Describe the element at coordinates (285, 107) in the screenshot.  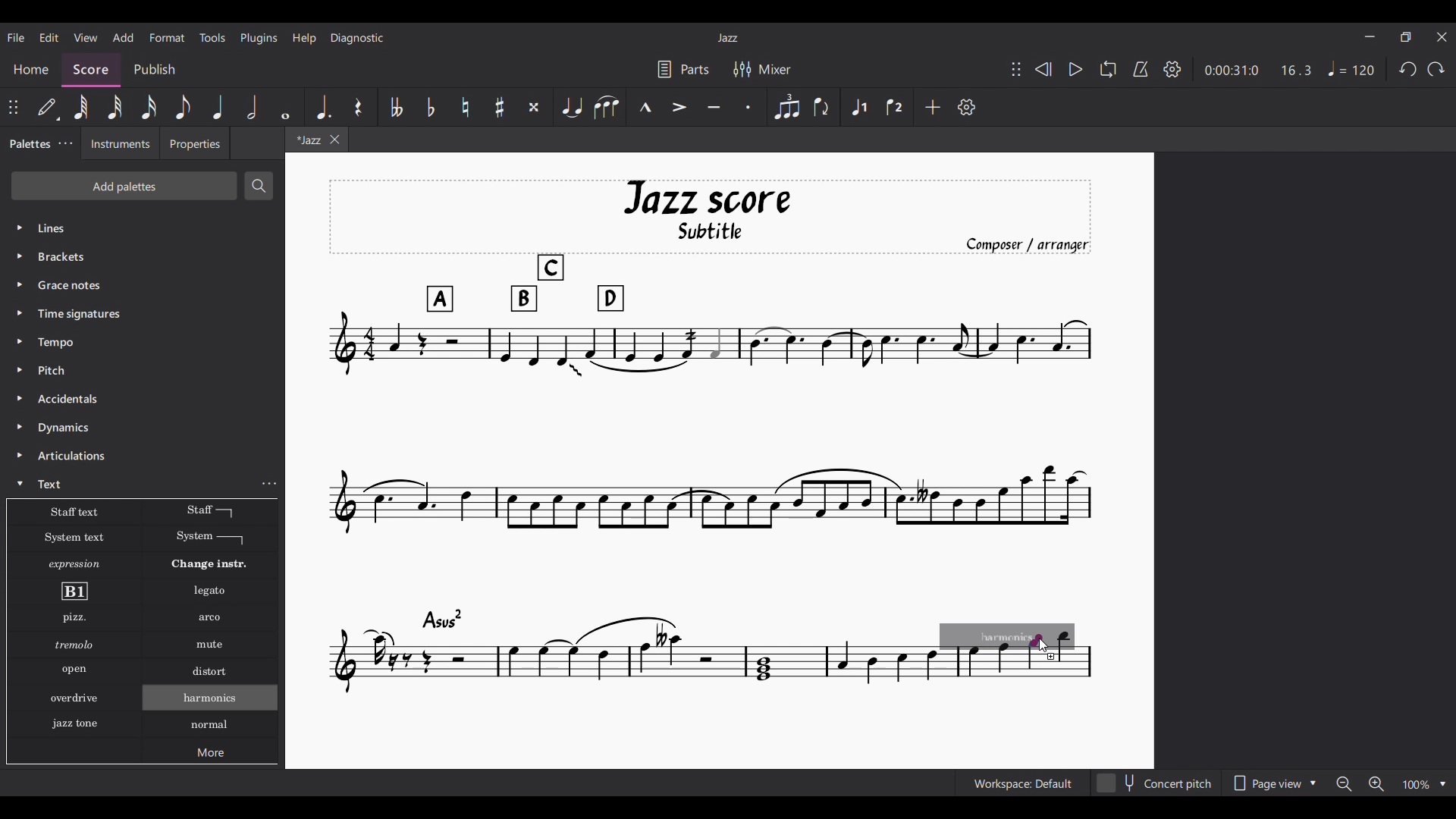
I see `Whole note` at that location.